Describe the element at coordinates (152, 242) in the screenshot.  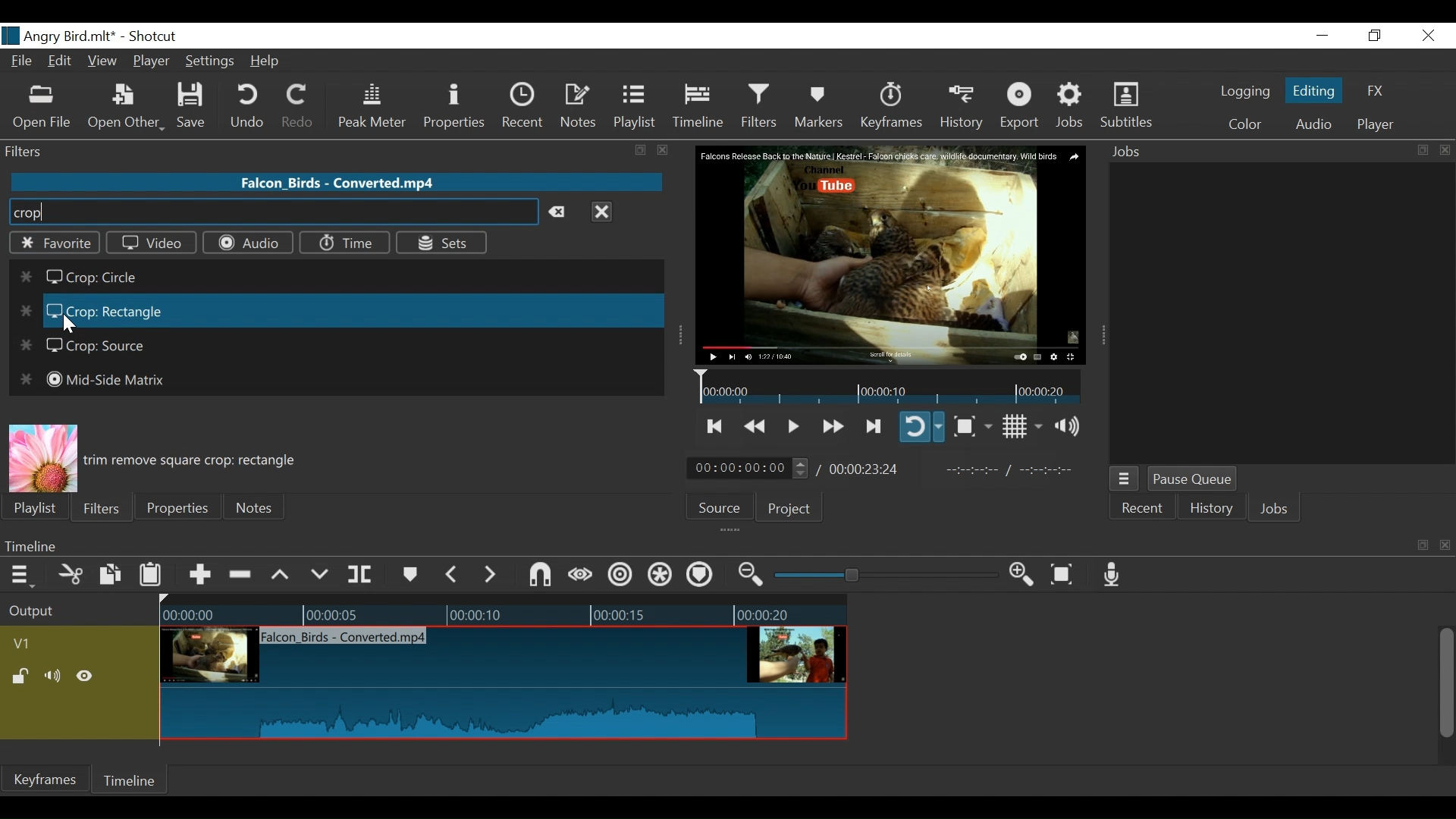
I see `Video` at that location.